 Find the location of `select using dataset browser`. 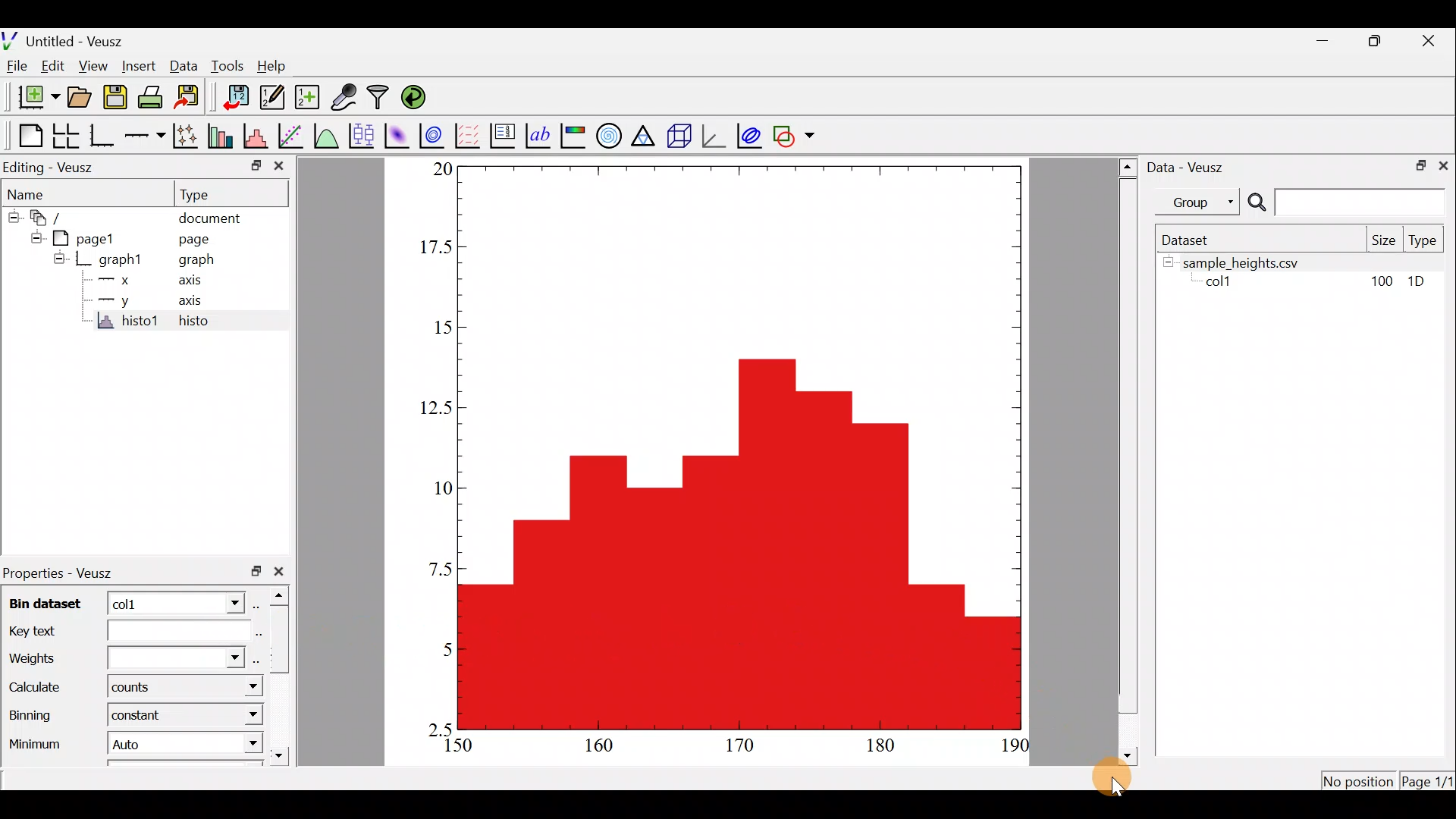

select using dataset browser is located at coordinates (255, 659).